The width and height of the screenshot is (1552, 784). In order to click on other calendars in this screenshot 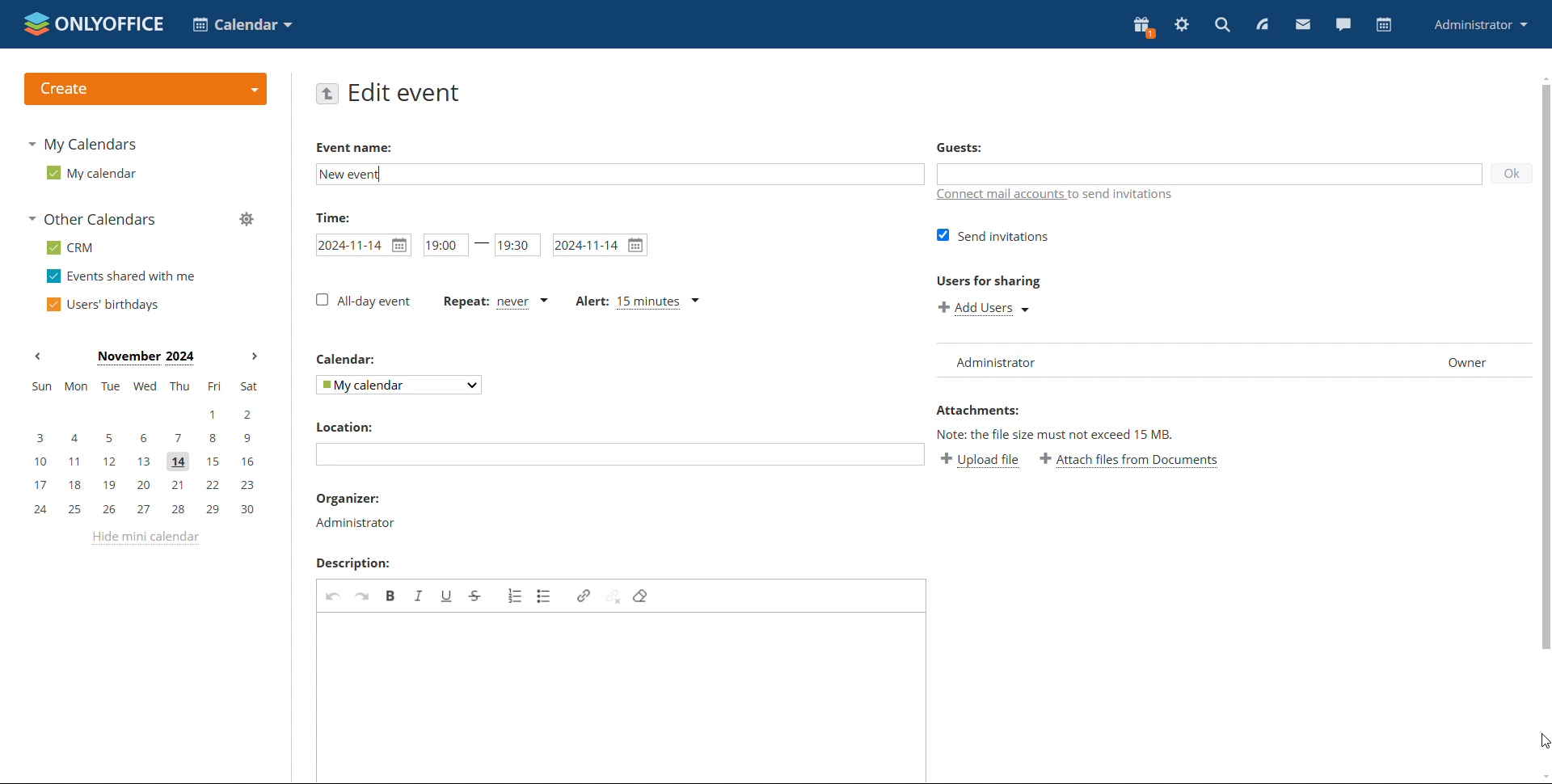, I will do `click(92, 218)`.